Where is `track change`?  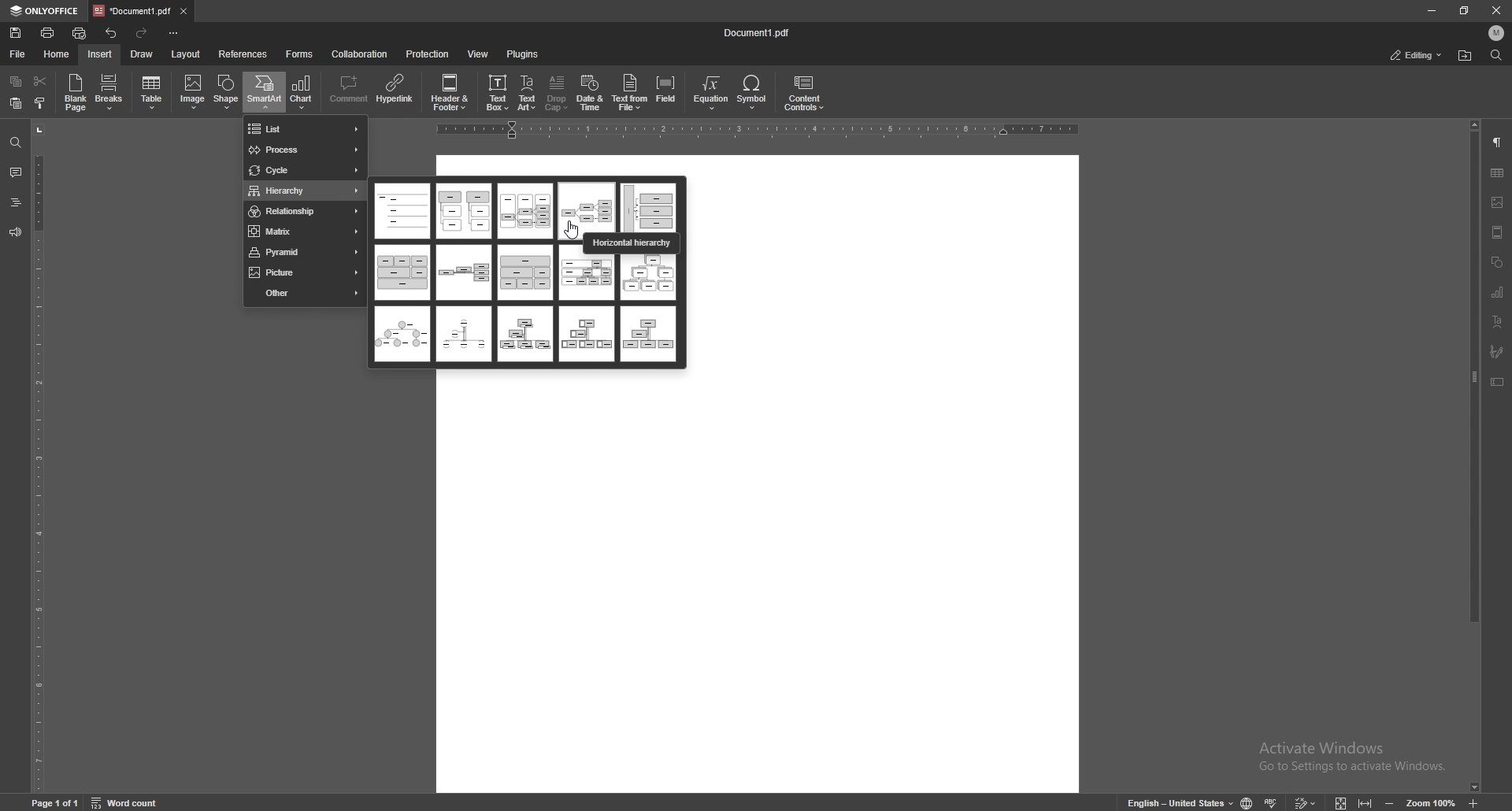
track change is located at coordinates (1304, 802).